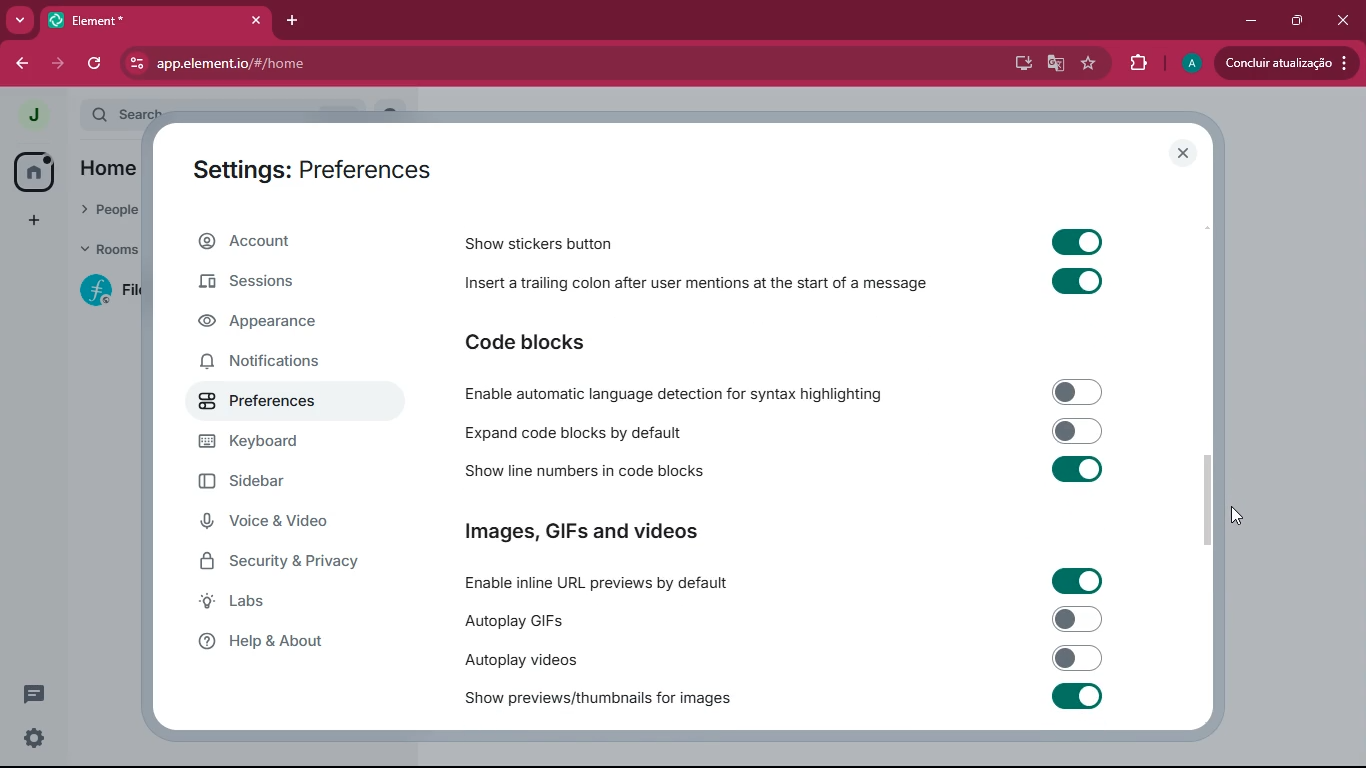 The width and height of the screenshot is (1366, 768). Describe the element at coordinates (288, 606) in the screenshot. I see `labs` at that location.